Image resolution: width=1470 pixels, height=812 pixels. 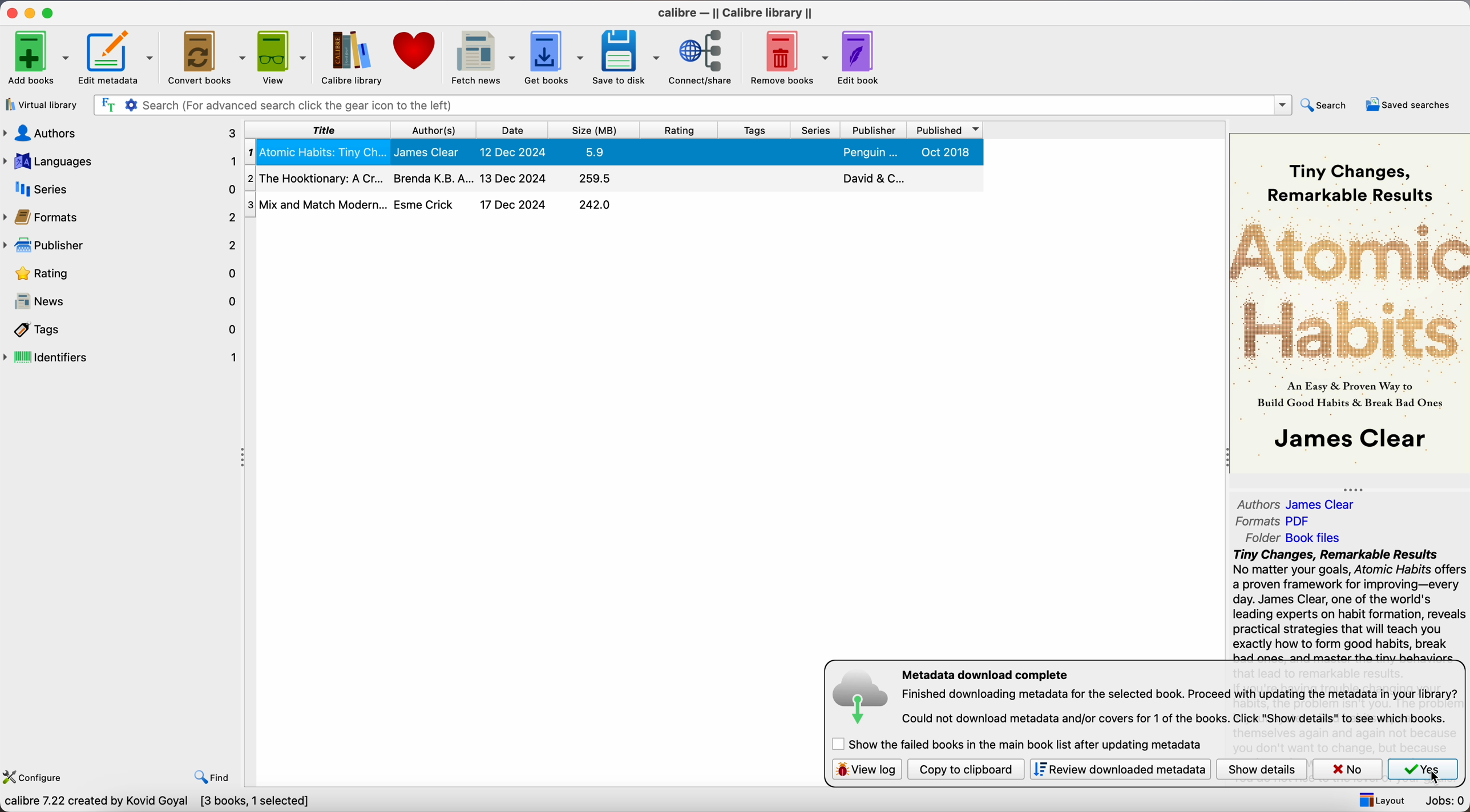 I want to click on Calibre - || Calibre library ||, so click(x=732, y=14).